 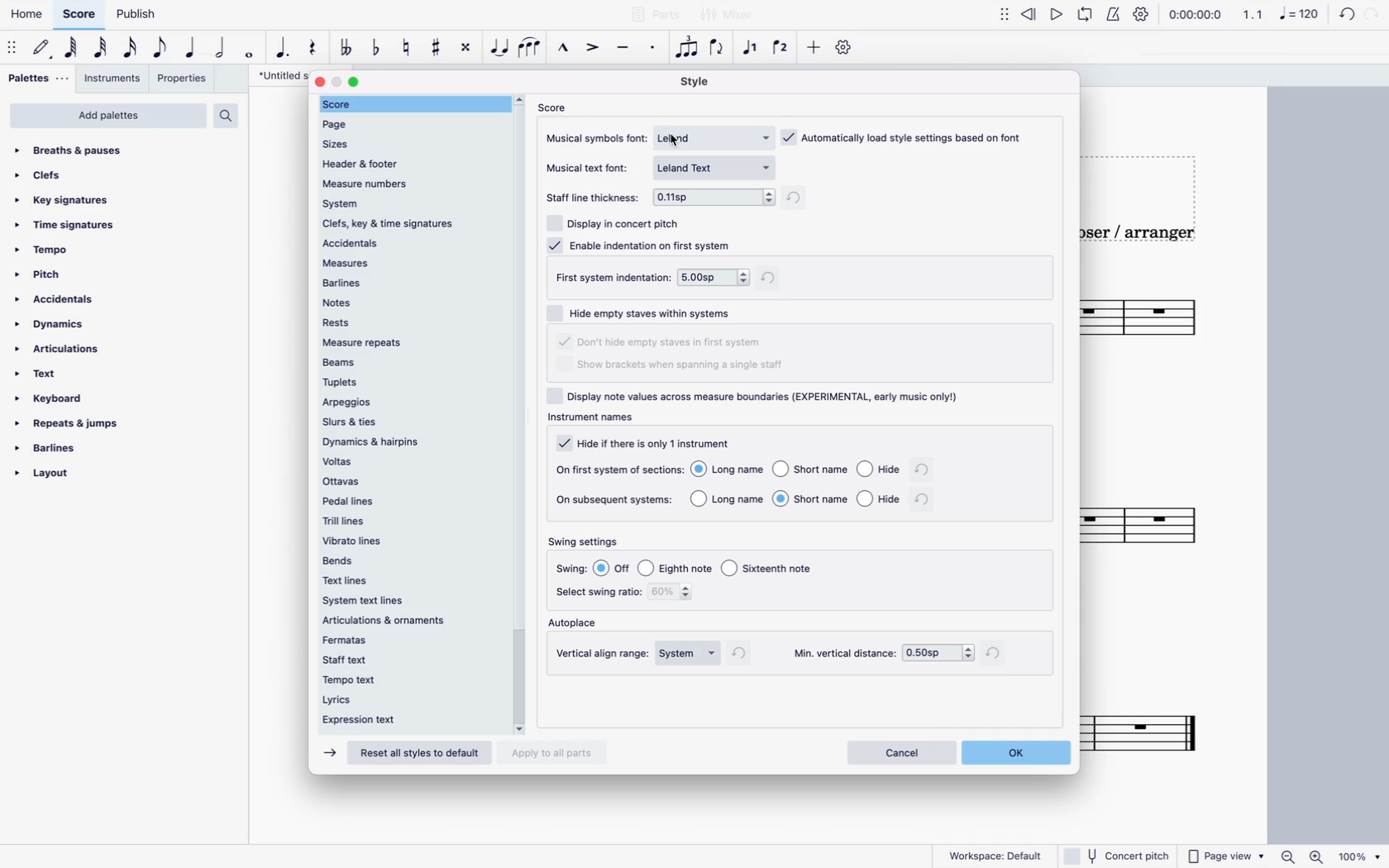 What do you see at coordinates (405, 122) in the screenshot?
I see `page` at bounding box center [405, 122].